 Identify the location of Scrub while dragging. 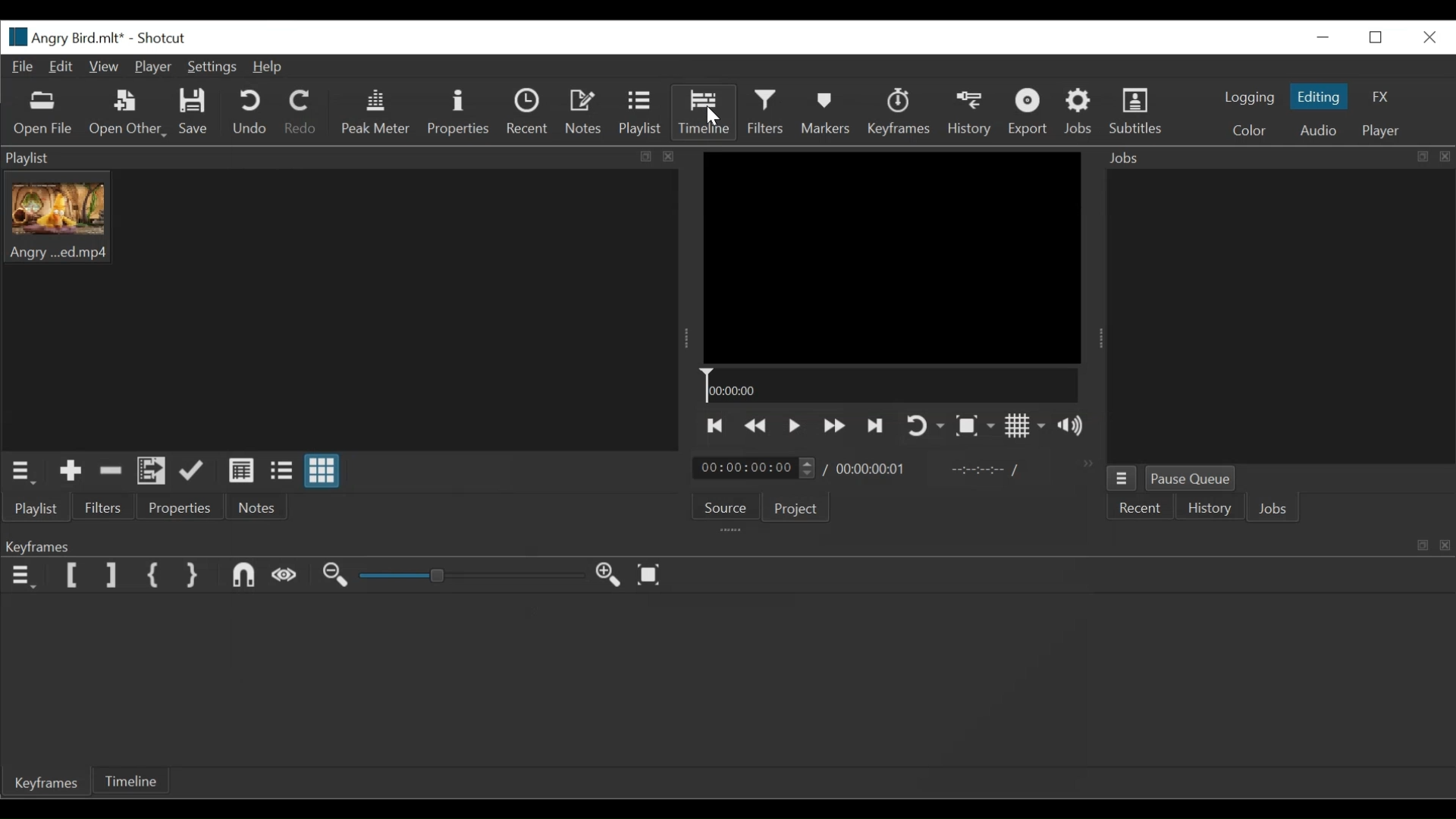
(286, 576).